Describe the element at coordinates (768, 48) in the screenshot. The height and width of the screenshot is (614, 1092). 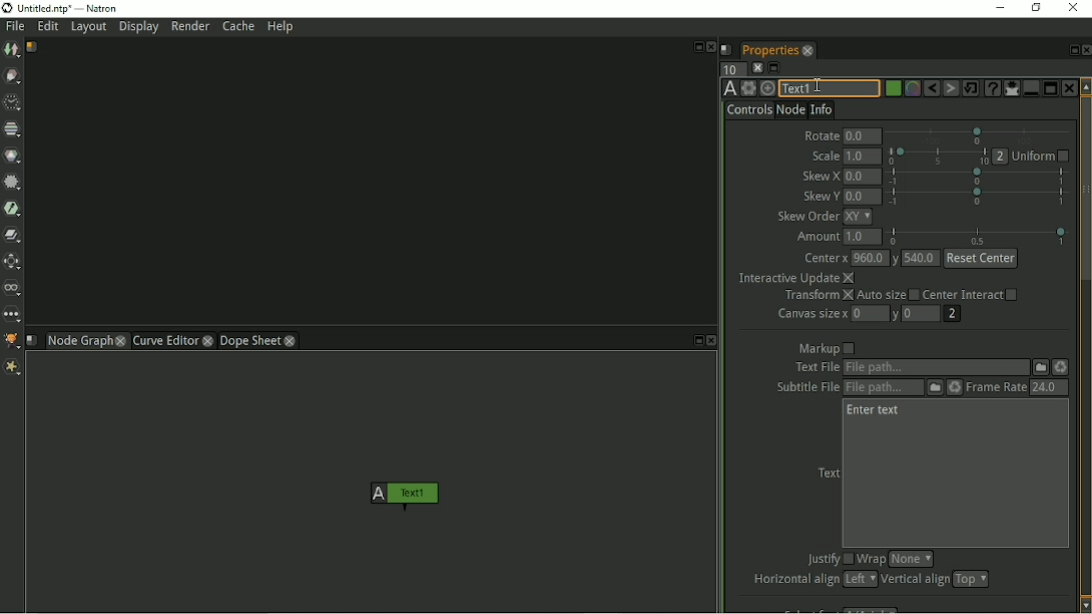
I see `Properties` at that location.